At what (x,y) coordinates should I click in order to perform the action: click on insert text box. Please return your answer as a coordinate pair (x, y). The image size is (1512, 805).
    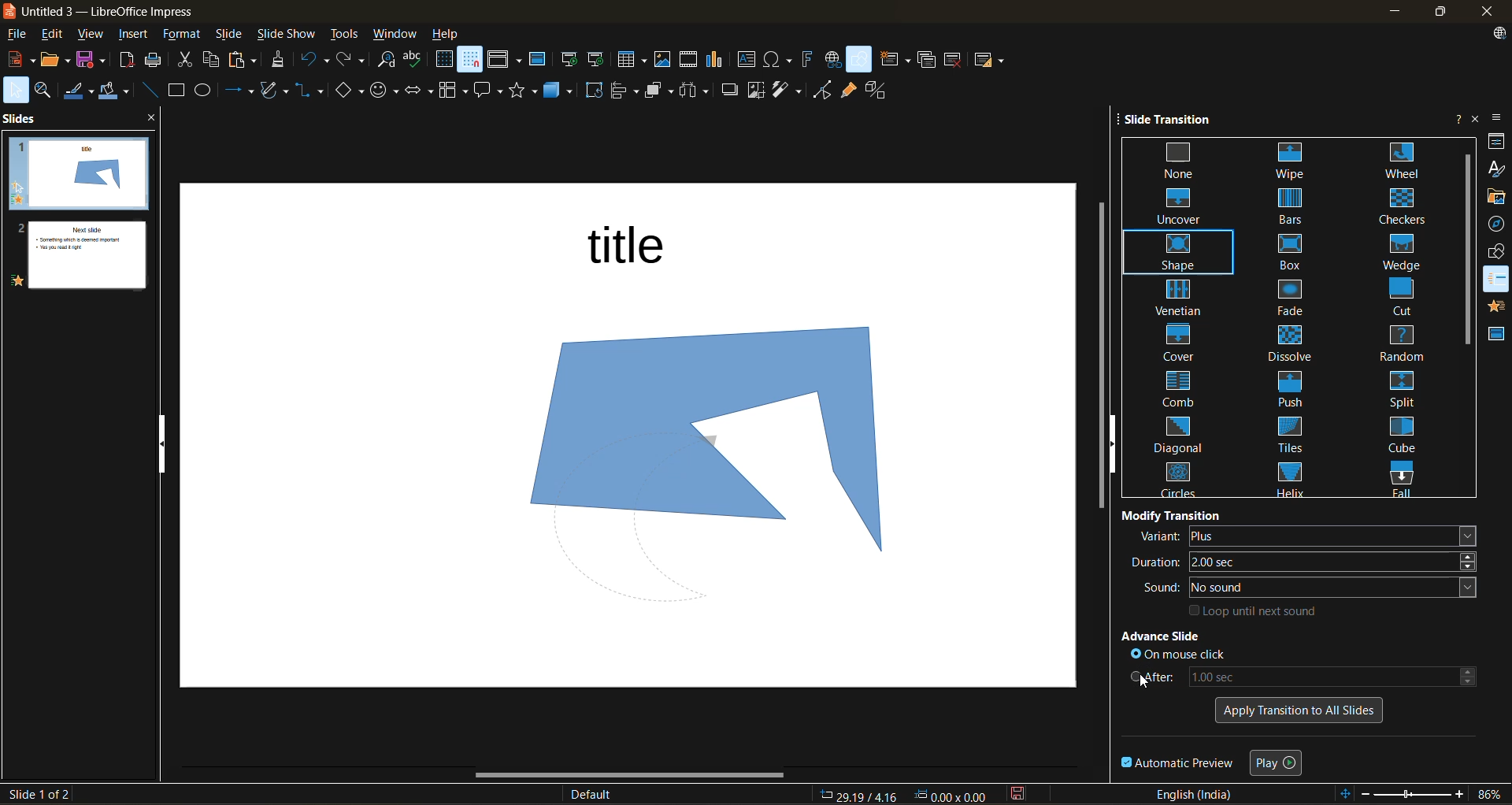
    Looking at the image, I should click on (750, 61).